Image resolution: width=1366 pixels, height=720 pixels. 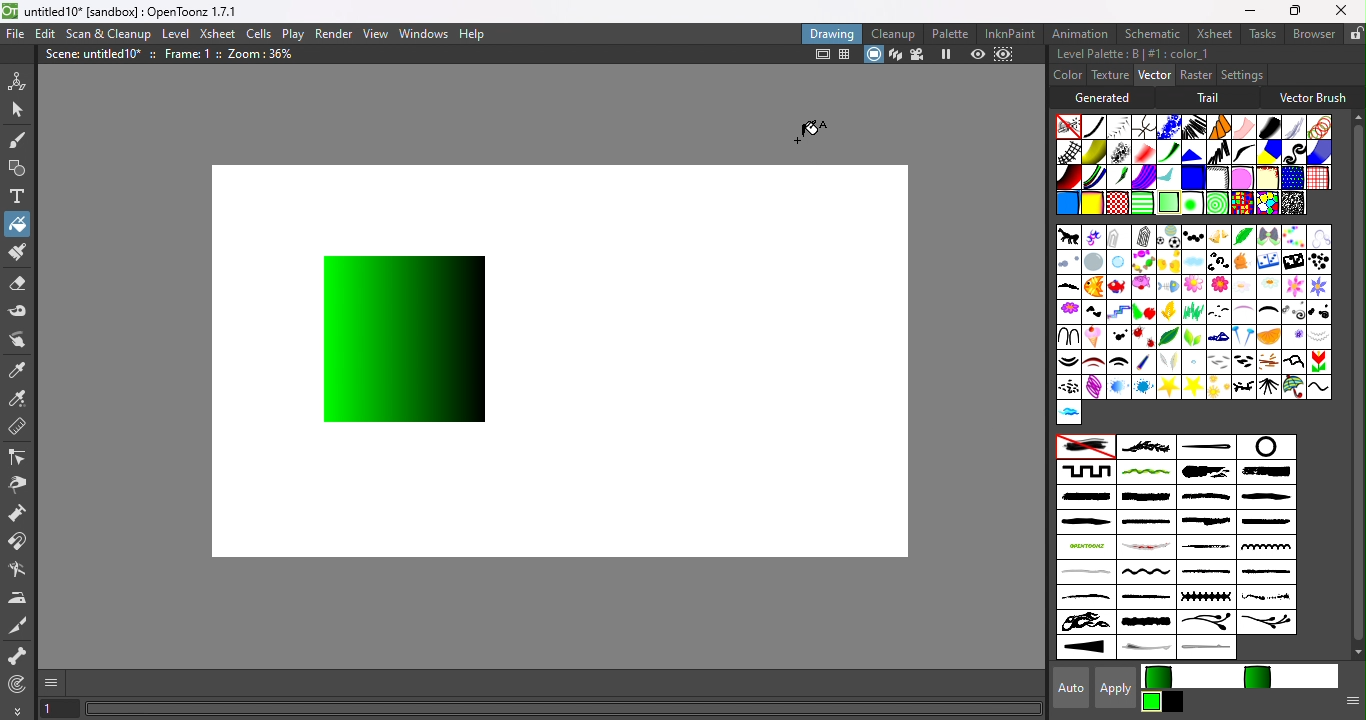 I want to click on Chessboard, so click(x=1118, y=203).